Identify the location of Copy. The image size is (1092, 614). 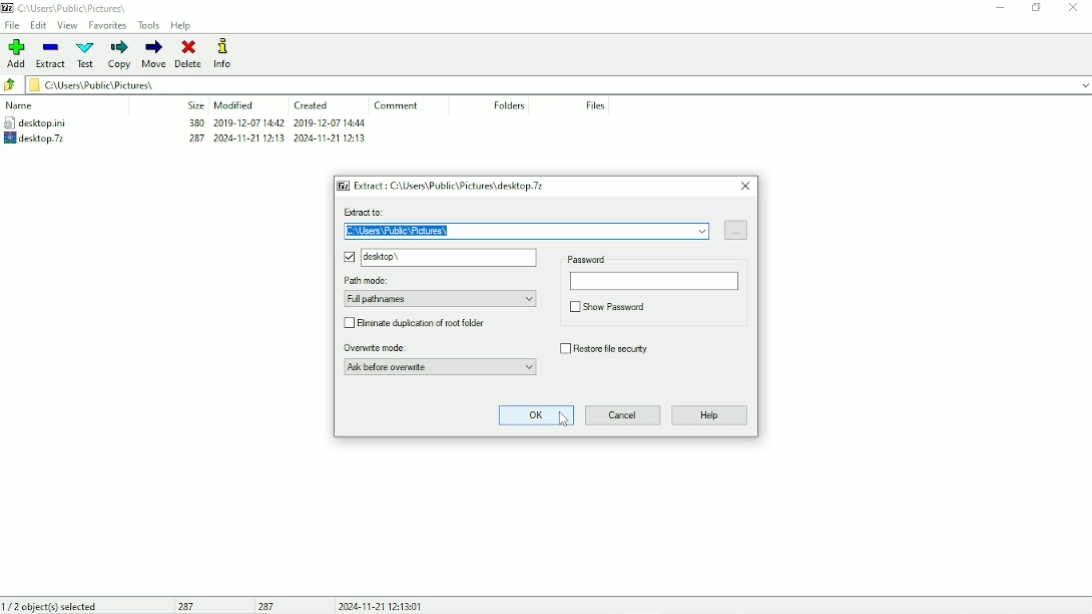
(118, 54).